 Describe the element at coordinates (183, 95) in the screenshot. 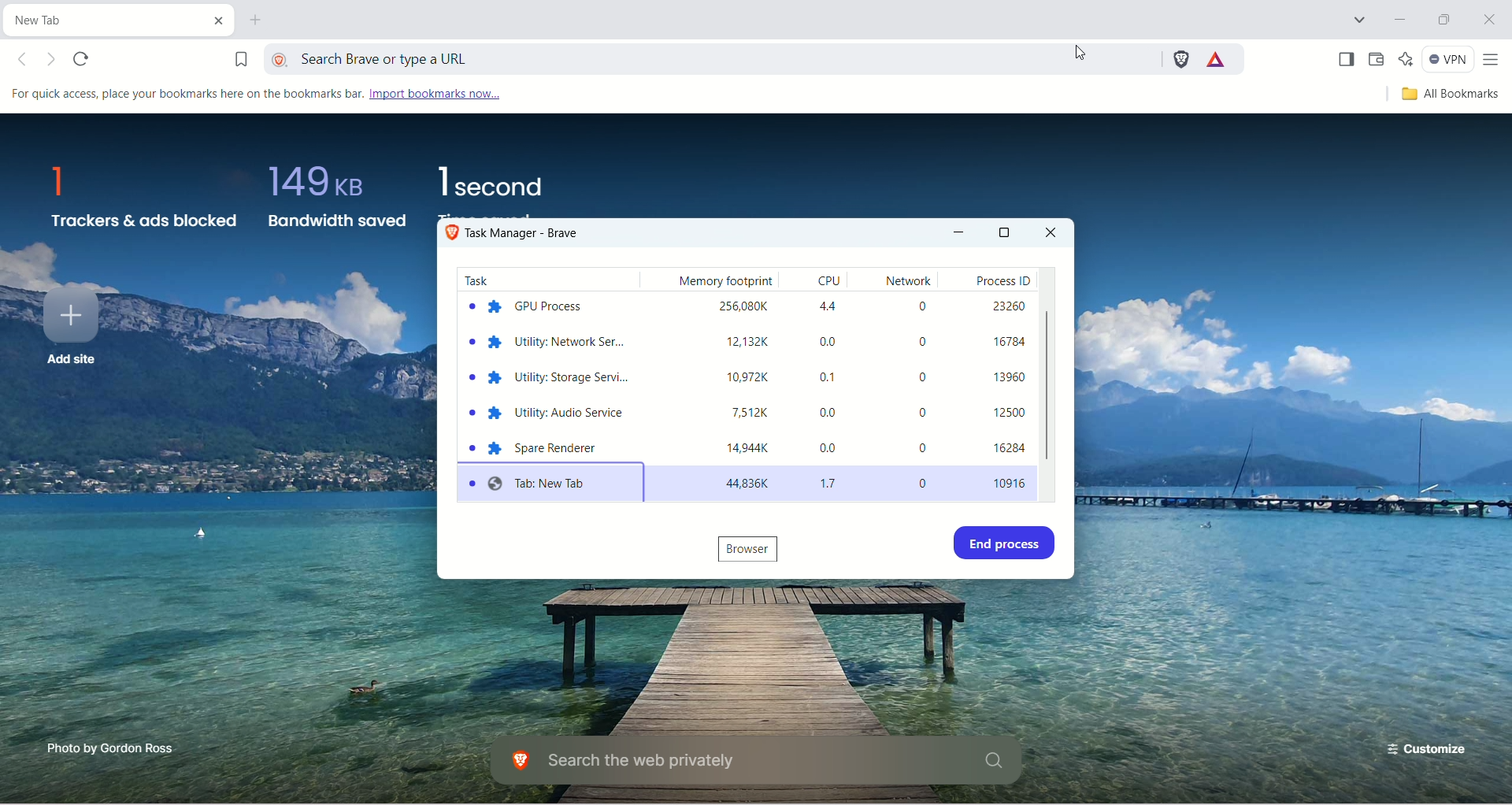

I see `For quick access, place your bookmarks here on the bookmarks bar` at that location.